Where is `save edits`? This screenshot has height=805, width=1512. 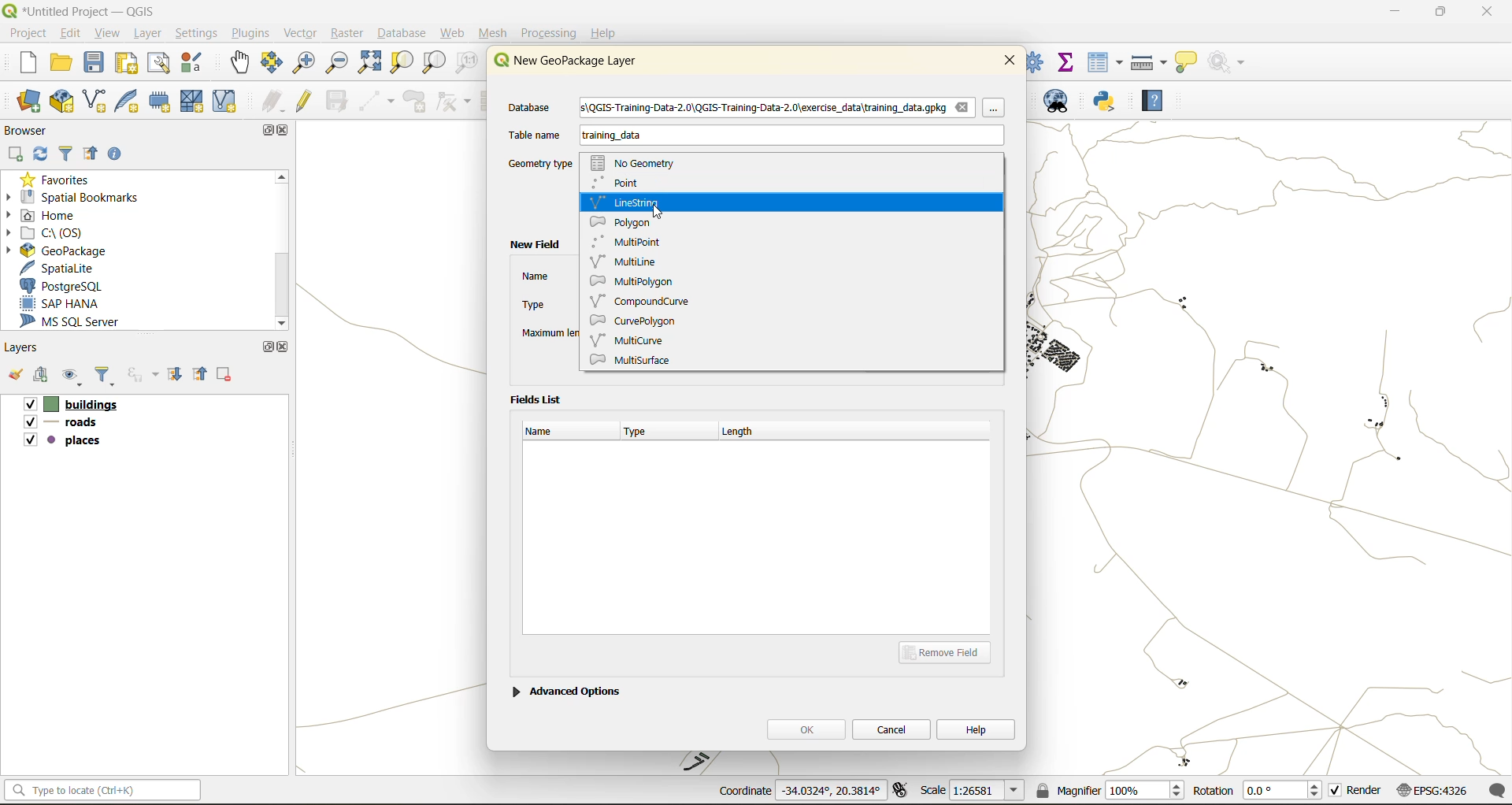
save edits is located at coordinates (339, 101).